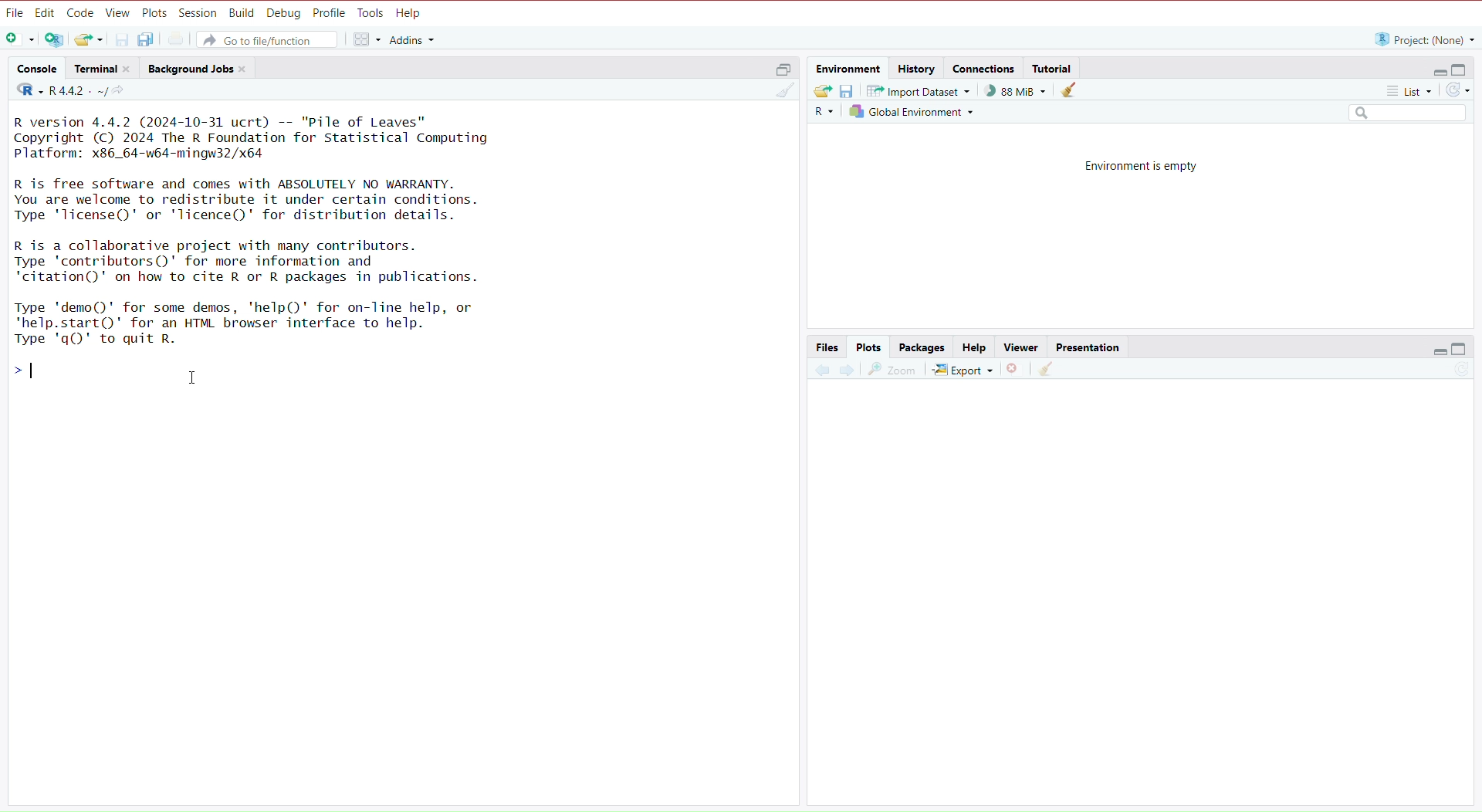 This screenshot has width=1482, height=812. What do you see at coordinates (15, 12) in the screenshot?
I see `File` at bounding box center [15, 12].